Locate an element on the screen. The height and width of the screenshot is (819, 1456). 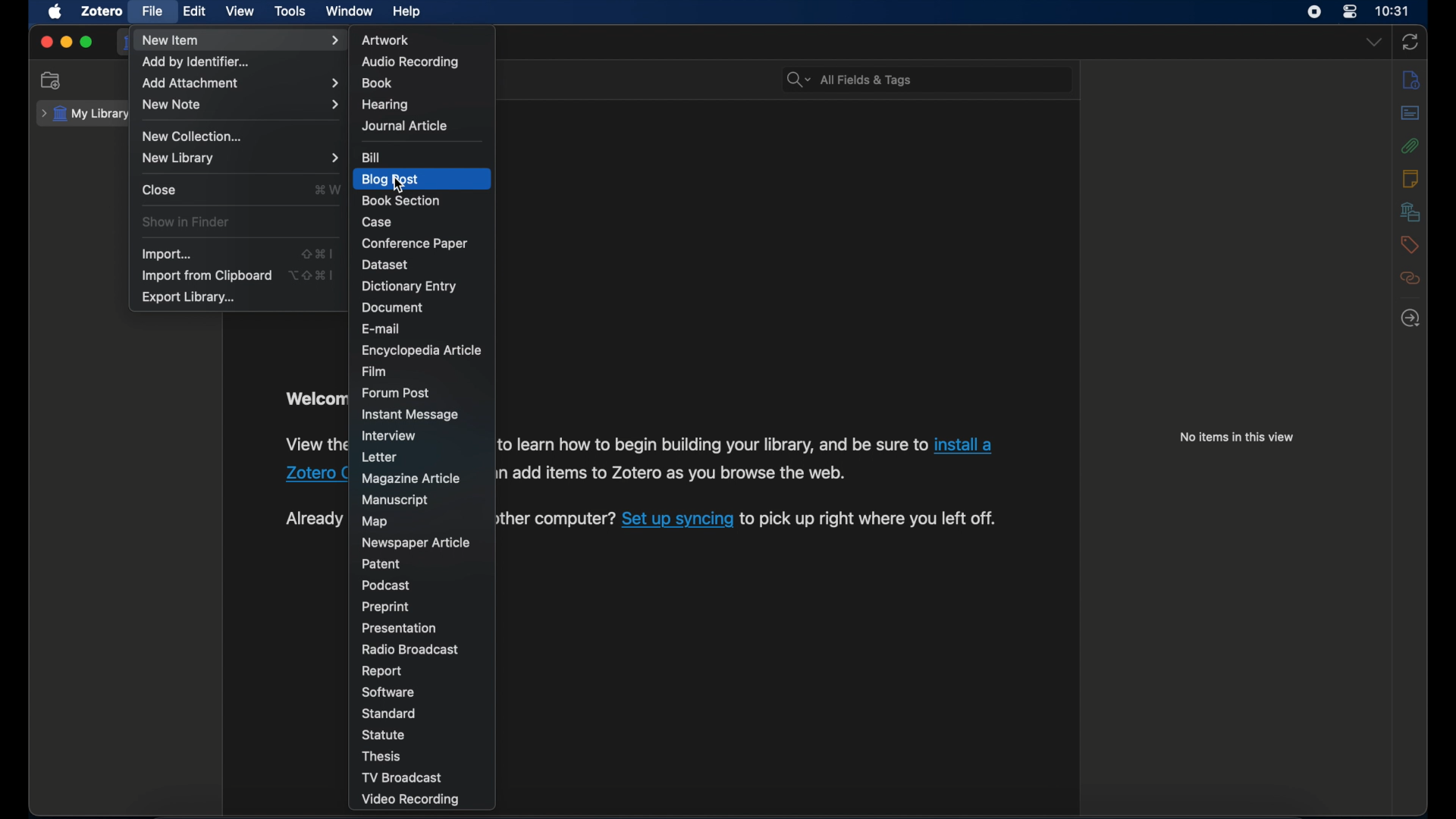
minimize is located at coordinates (65, 43).